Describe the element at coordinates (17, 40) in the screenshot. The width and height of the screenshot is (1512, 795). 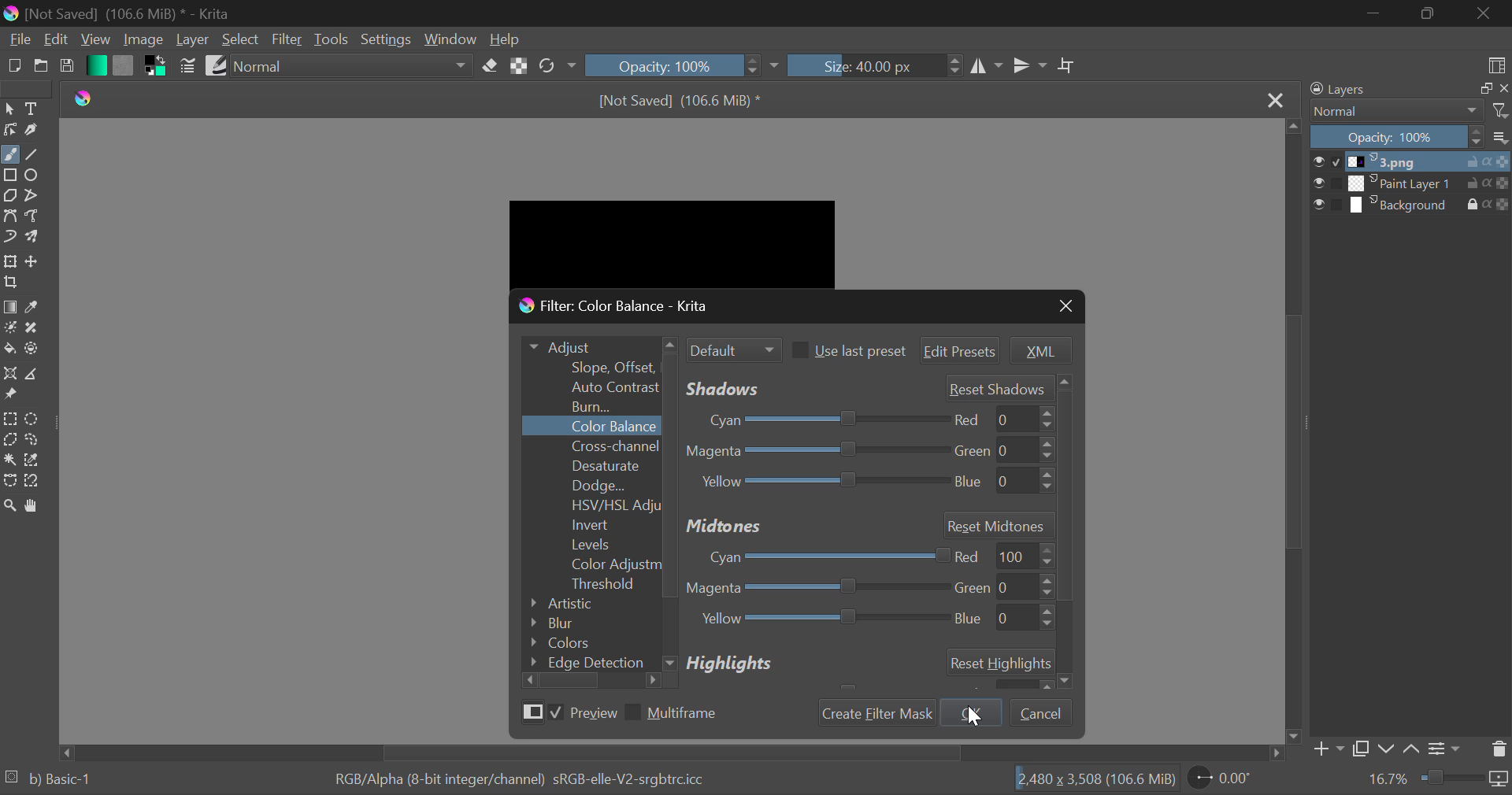
I see `File` at that location.